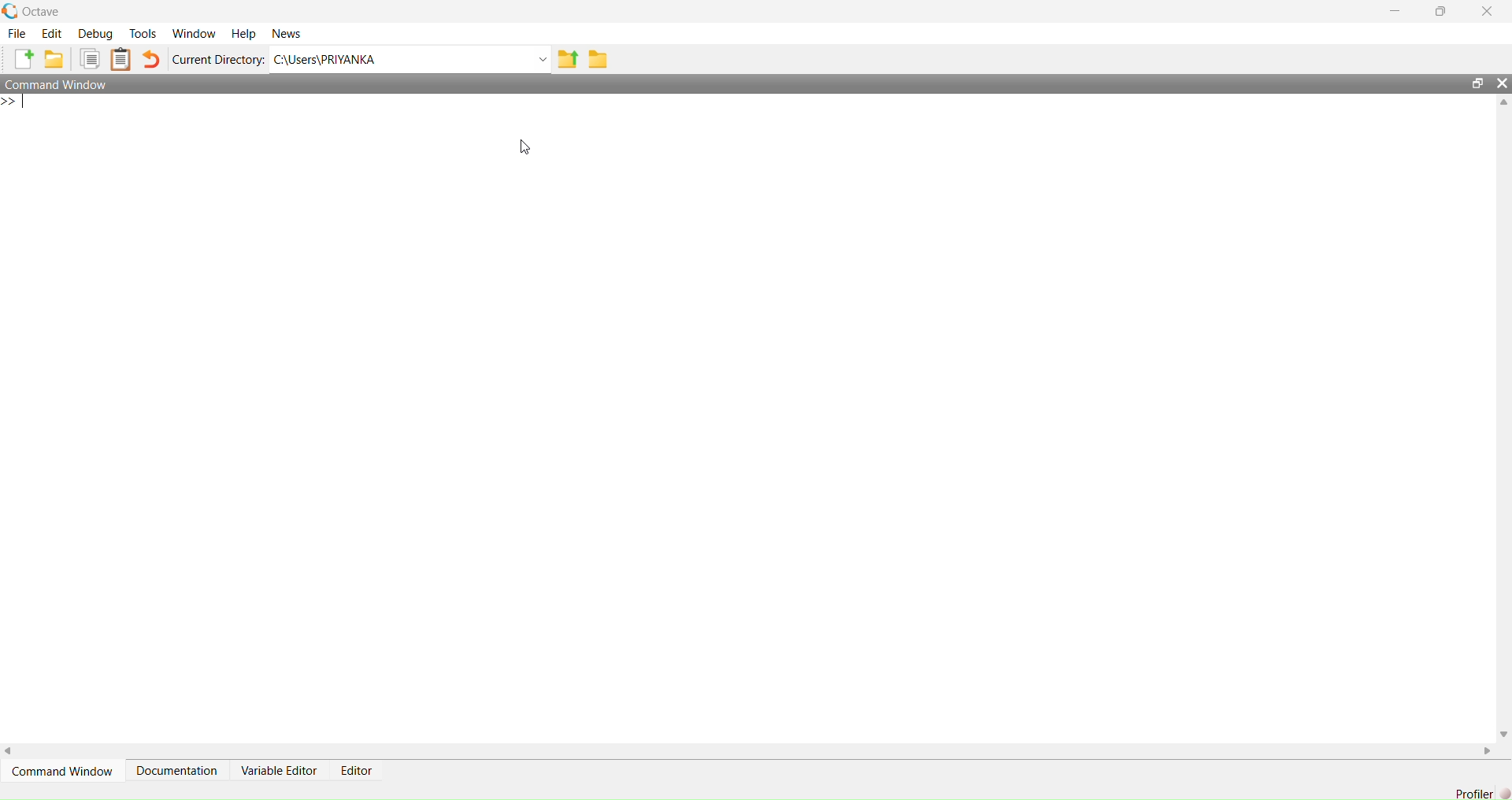 The height and width of the screenshot is (800, 1512). I want to click on Tools, so click(143, 34).